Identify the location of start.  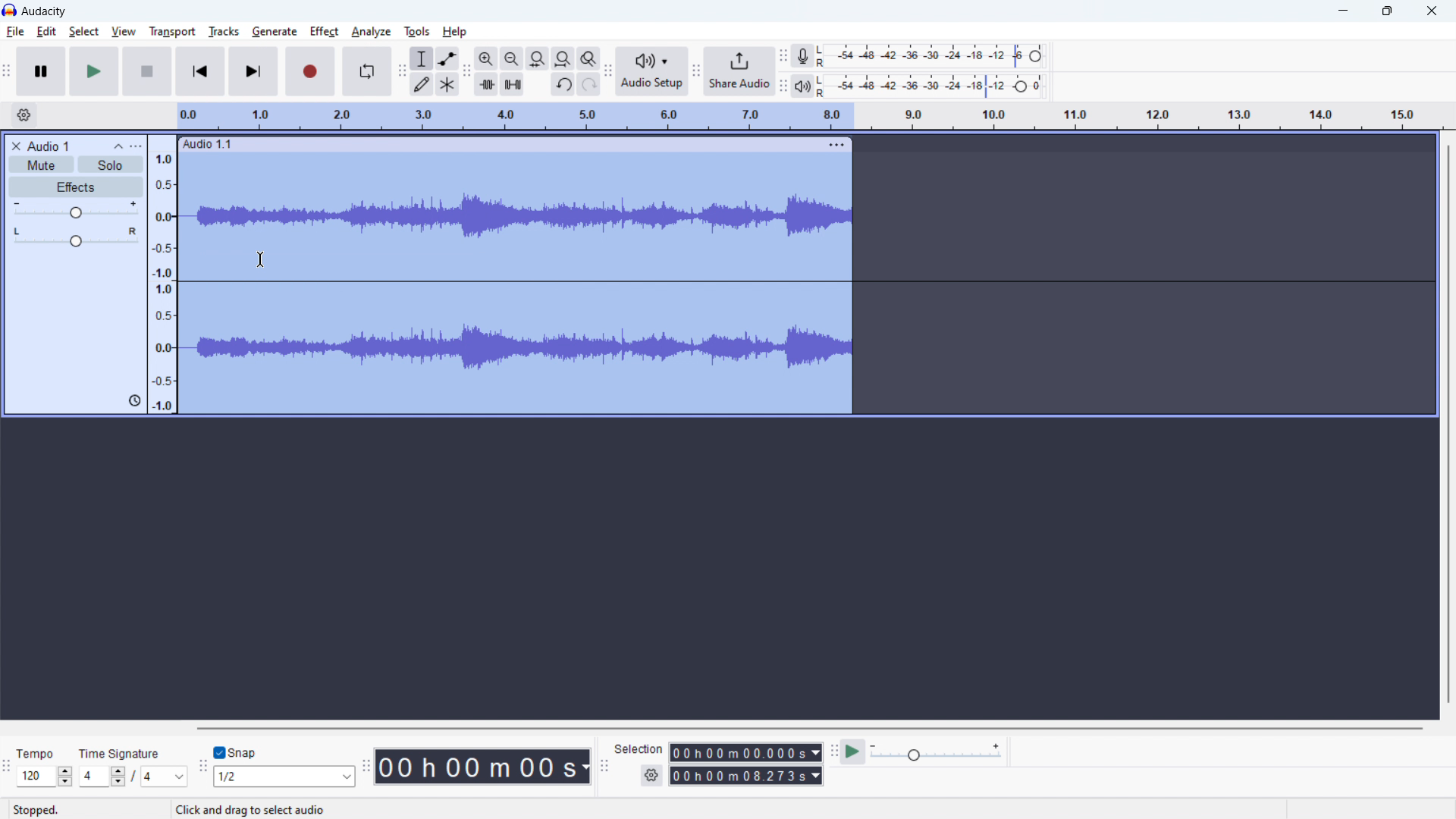
(94, 71).